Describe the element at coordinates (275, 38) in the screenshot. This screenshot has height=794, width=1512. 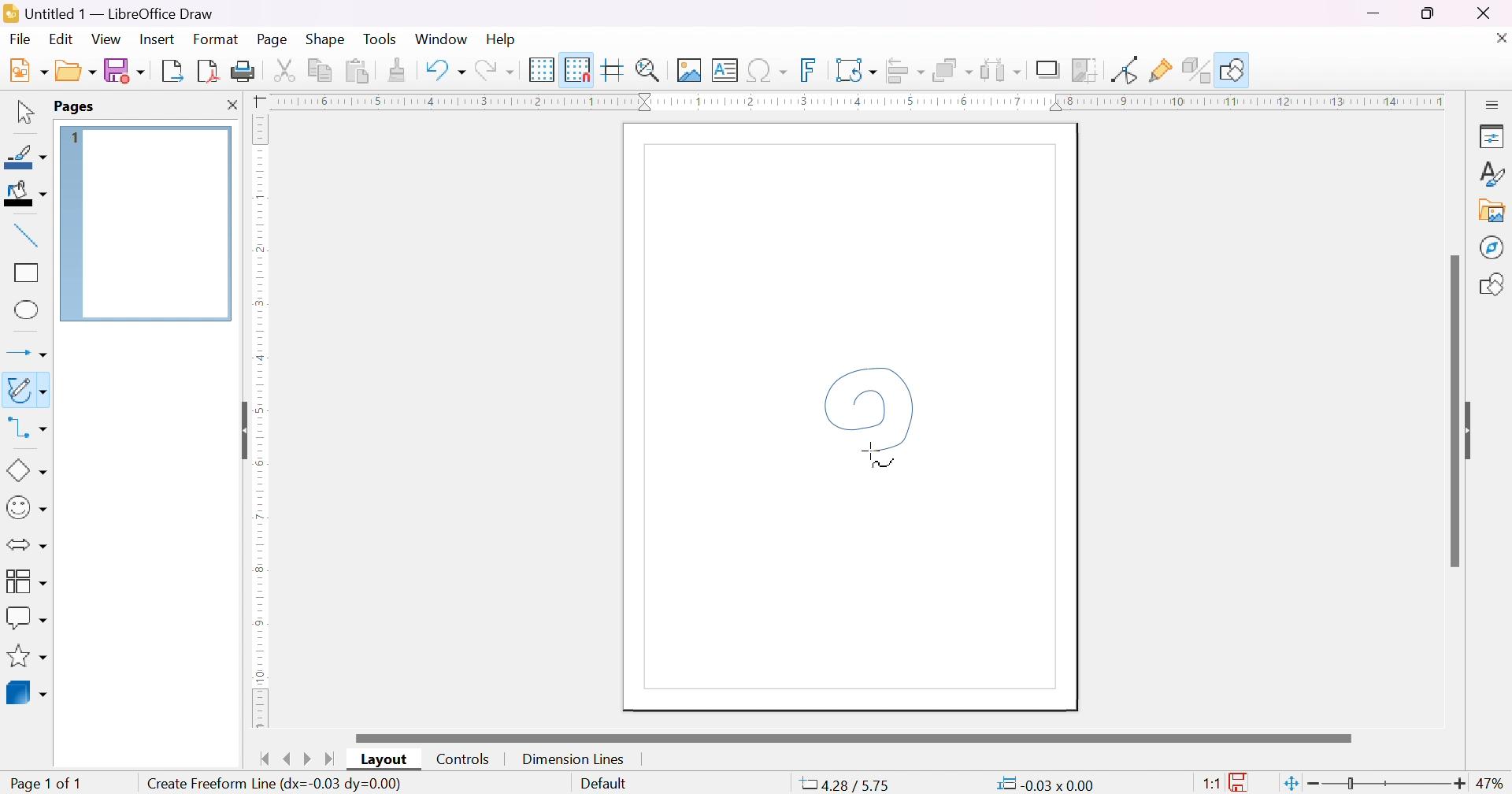
I see `page` at that location.